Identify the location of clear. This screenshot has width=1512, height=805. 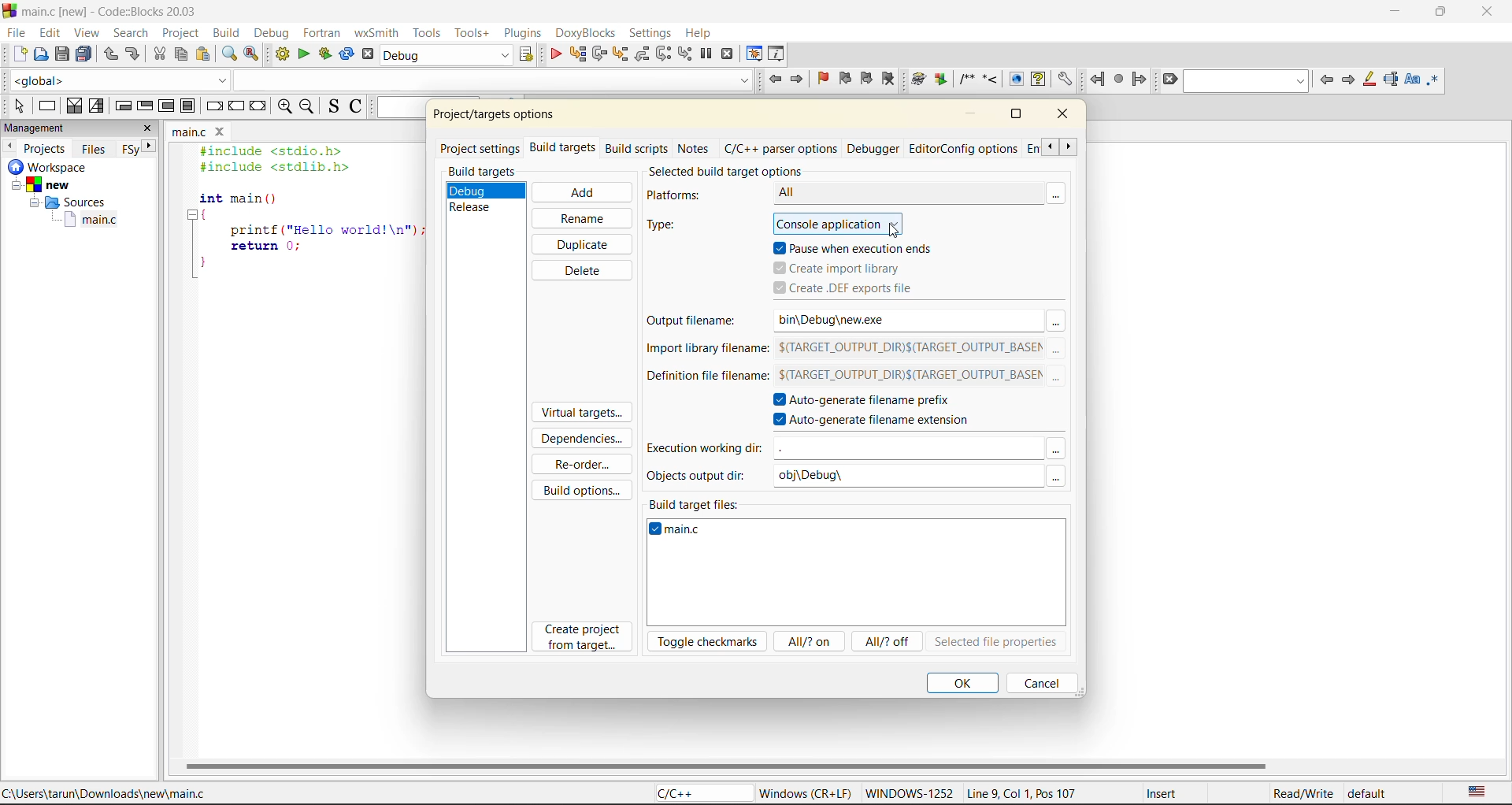
(1172, 81).